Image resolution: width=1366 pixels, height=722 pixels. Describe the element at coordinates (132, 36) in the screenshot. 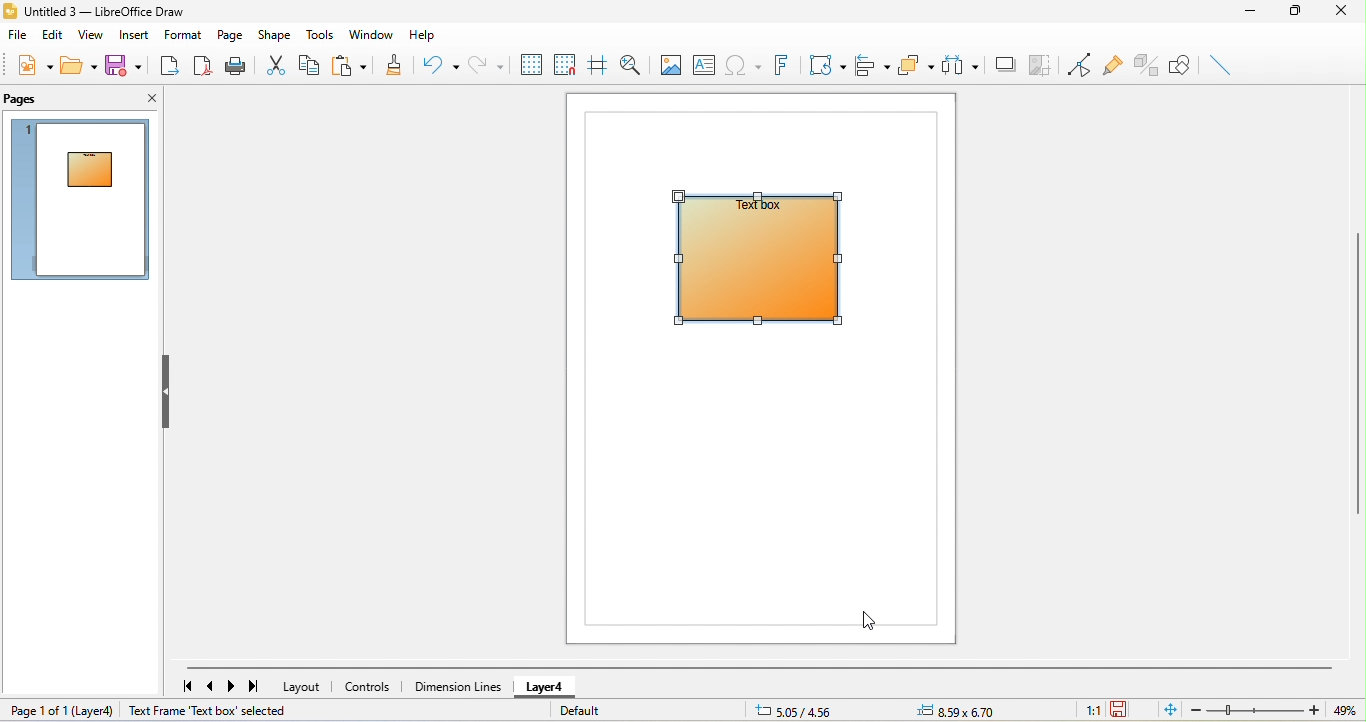

I see `insert` at that location.